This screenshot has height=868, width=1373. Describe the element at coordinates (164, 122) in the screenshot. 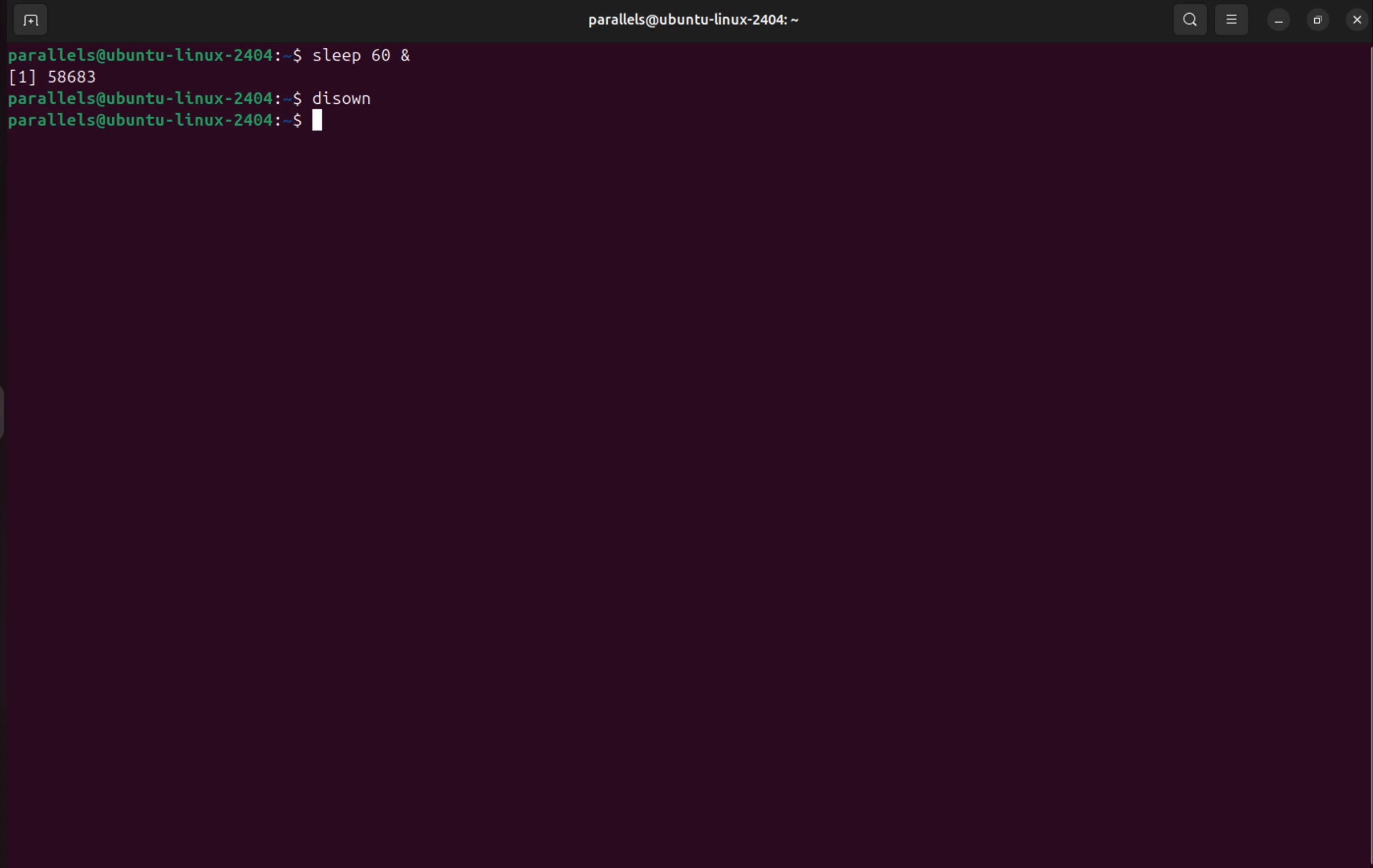

I see `parallels@ubuntu-linux-2404: ~$` at that location.